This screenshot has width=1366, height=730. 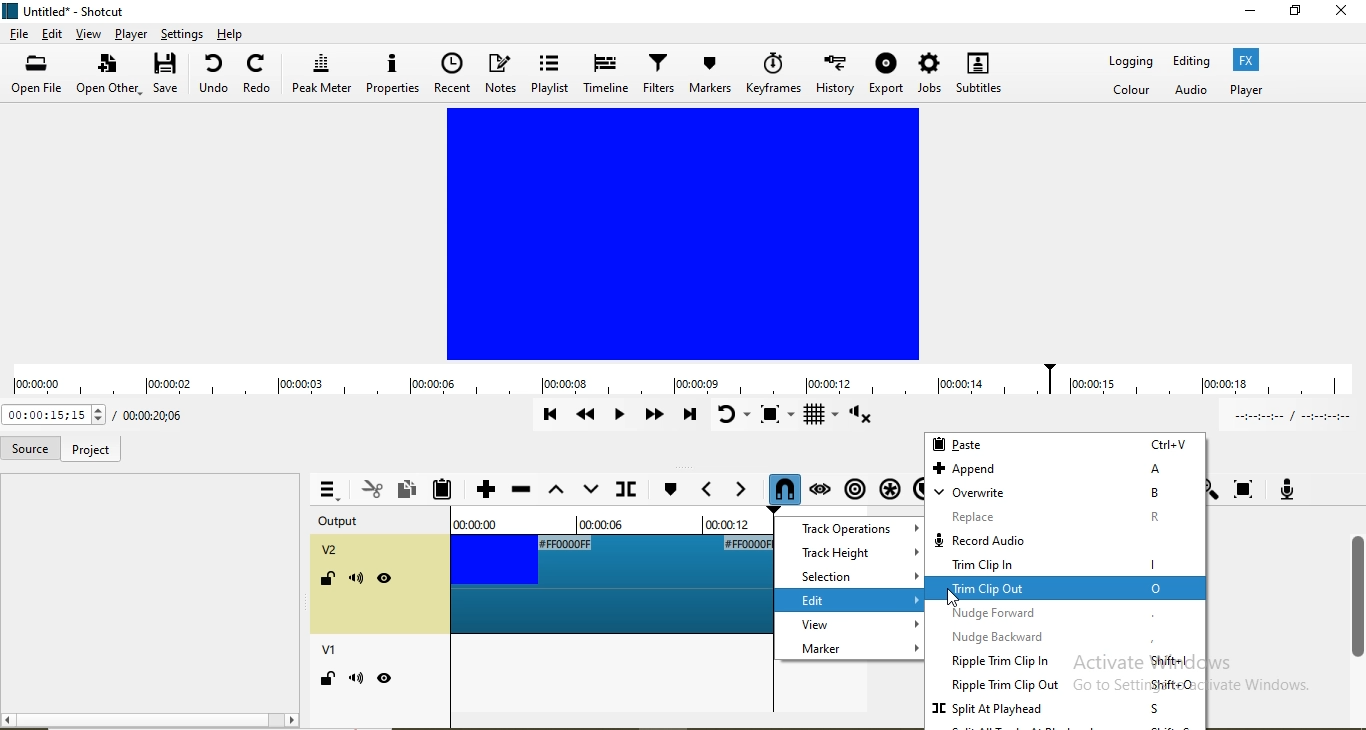 What do you see at coordinates (1133, 91) in the screenshot?
I see `Color` at bounding box center [1133, 91].